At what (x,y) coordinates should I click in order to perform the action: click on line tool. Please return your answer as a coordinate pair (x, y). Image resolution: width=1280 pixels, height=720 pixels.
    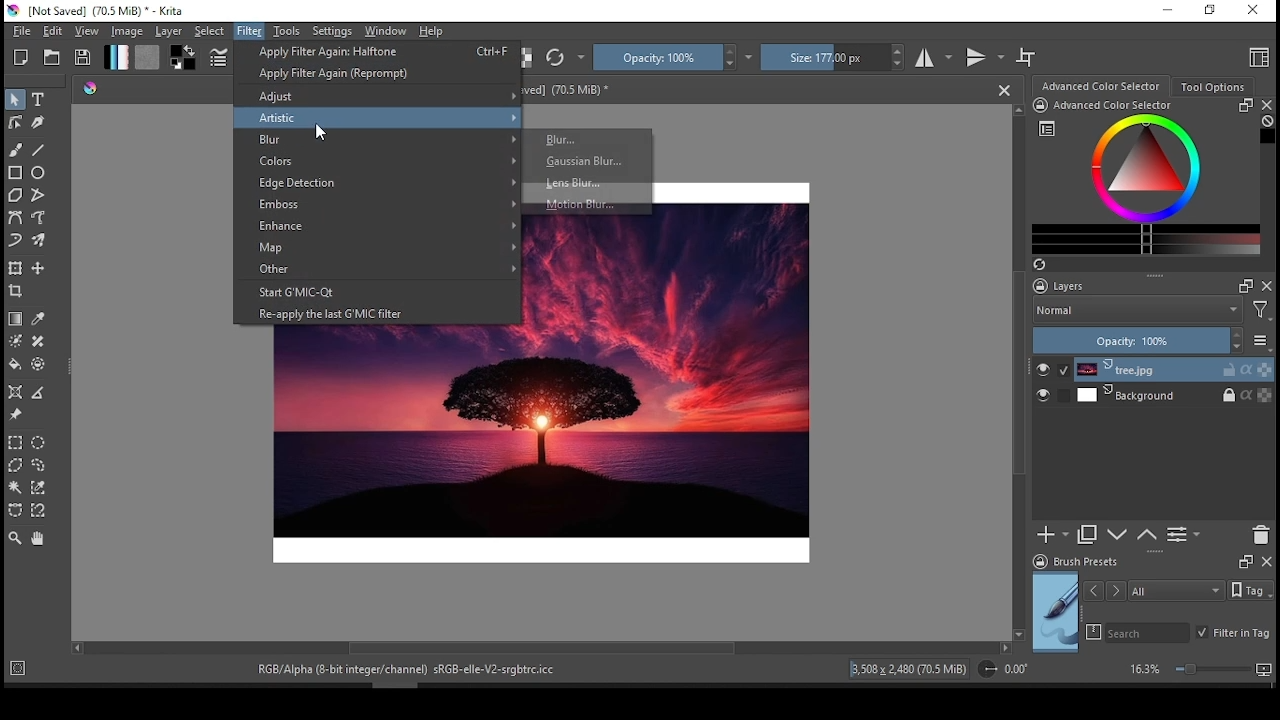
    Looking at the image, I should click on (39, 149).